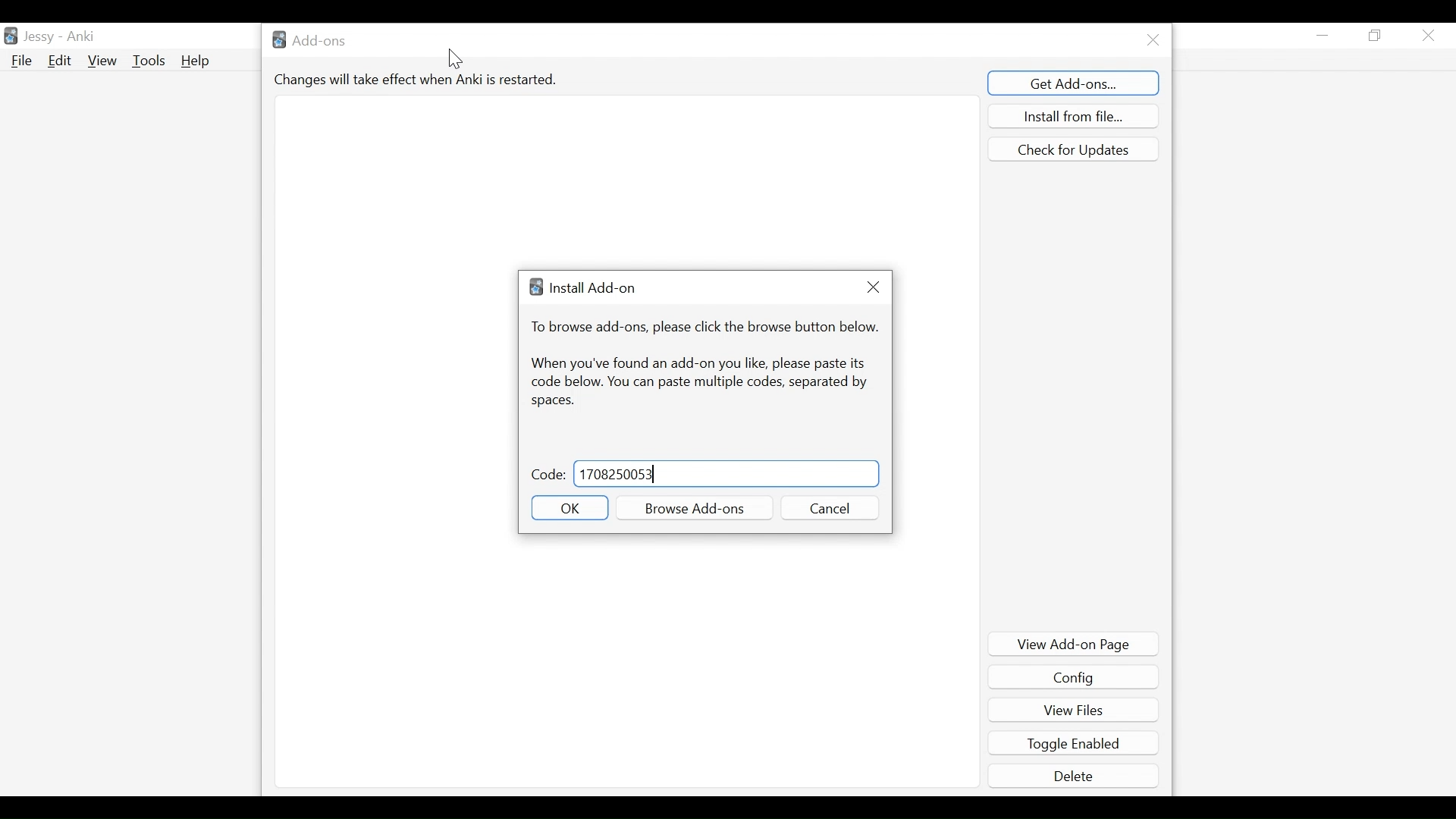 The image size is (1456, 819). What do you see at coordinates (1073, 708) in the screenshot?
I see `View Files` at bounding box center [1073, 708].